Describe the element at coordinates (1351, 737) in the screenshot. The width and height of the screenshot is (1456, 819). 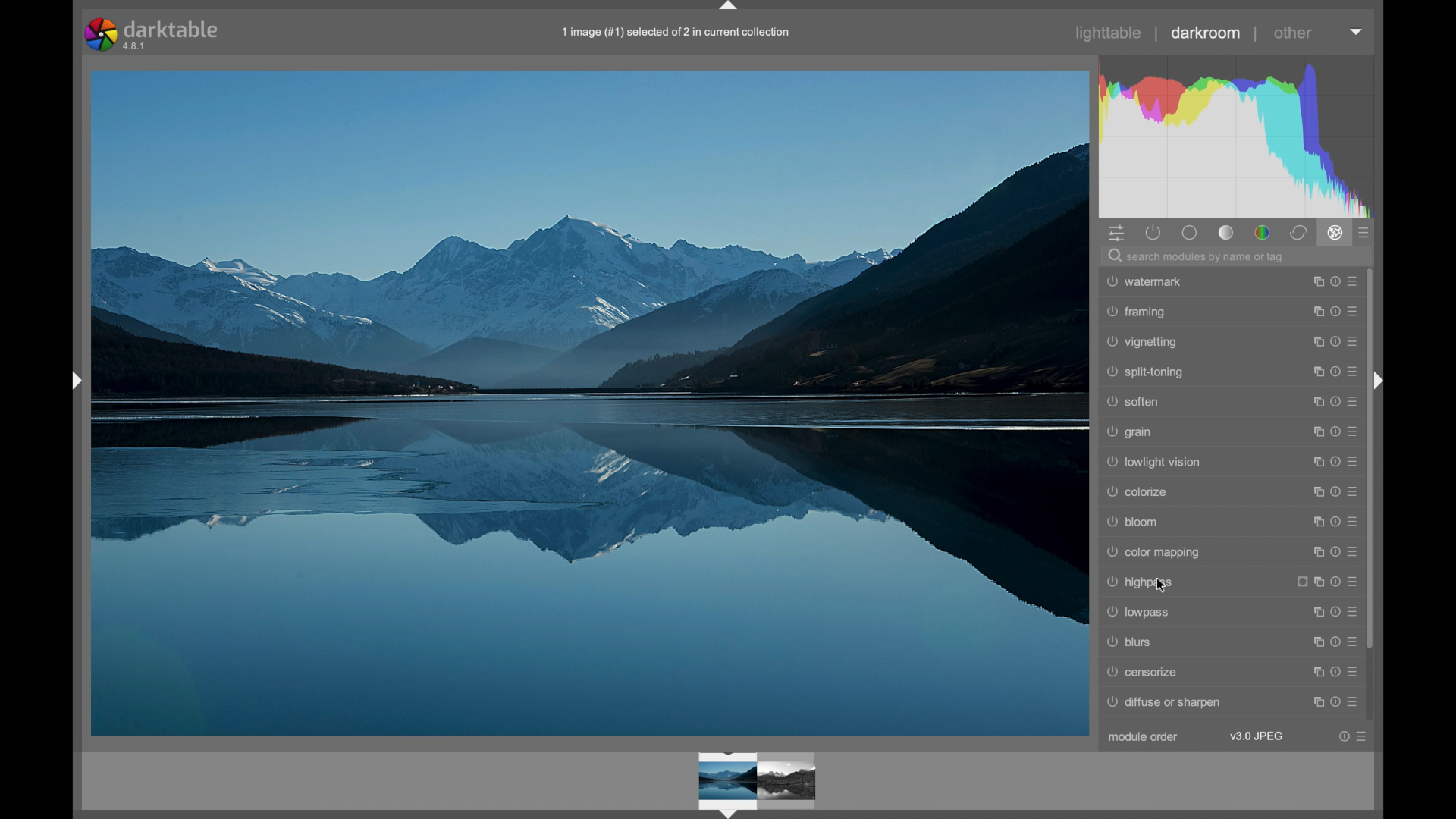
I see `more options` at that location.